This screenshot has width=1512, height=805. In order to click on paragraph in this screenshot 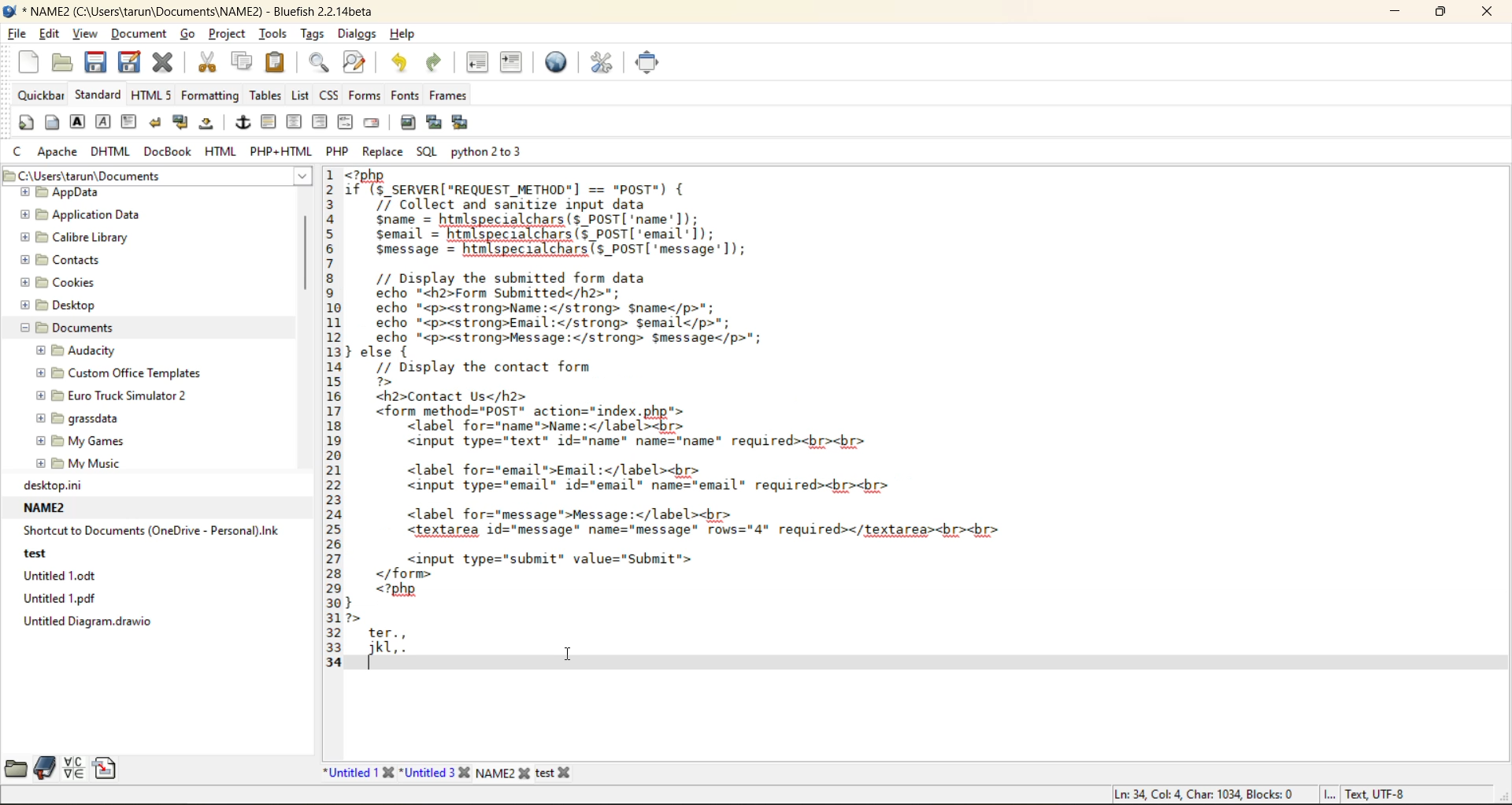, I will do `click(132, 123)`.